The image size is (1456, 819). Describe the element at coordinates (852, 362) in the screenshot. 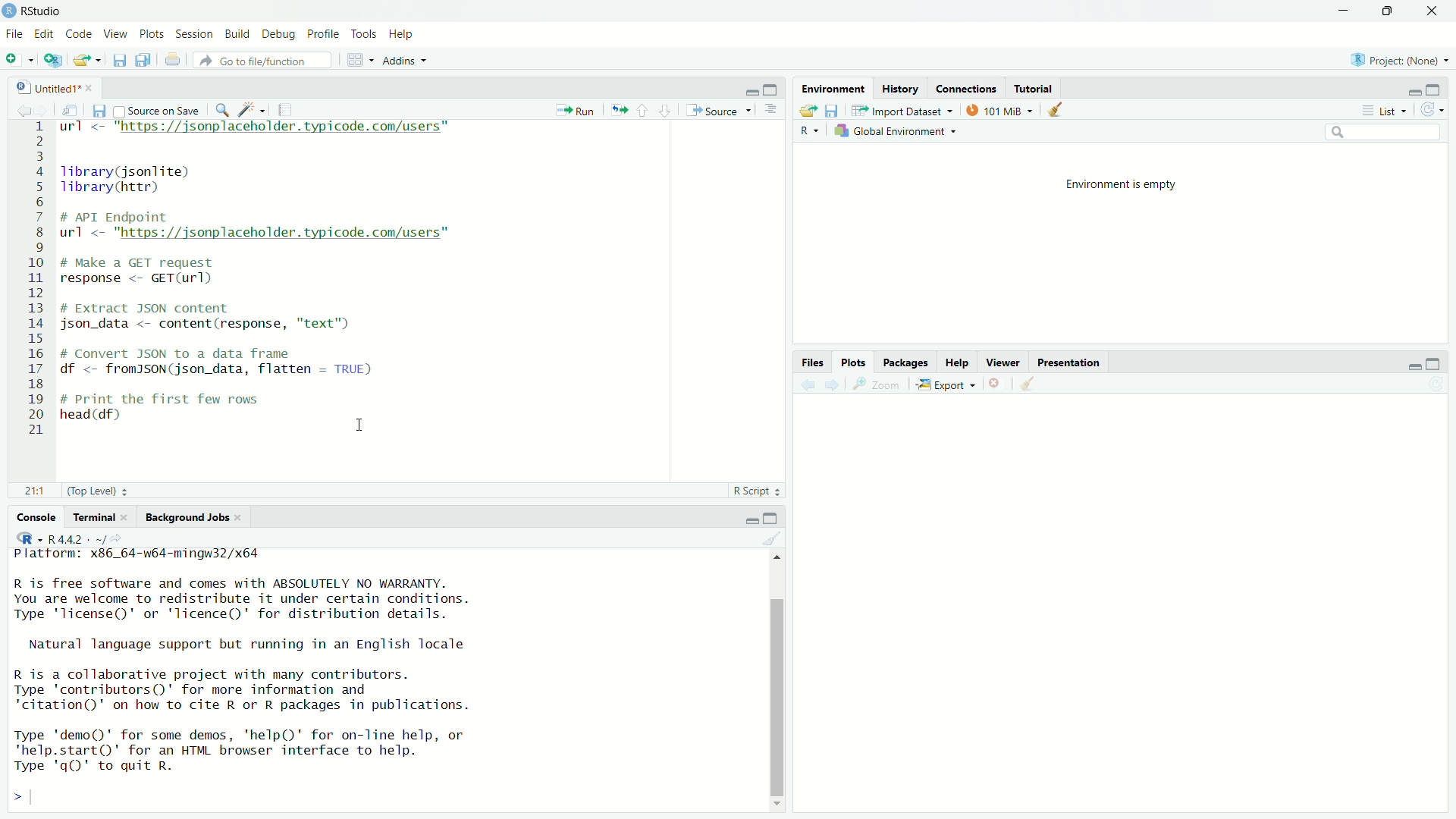

I see `Plots` at that location.